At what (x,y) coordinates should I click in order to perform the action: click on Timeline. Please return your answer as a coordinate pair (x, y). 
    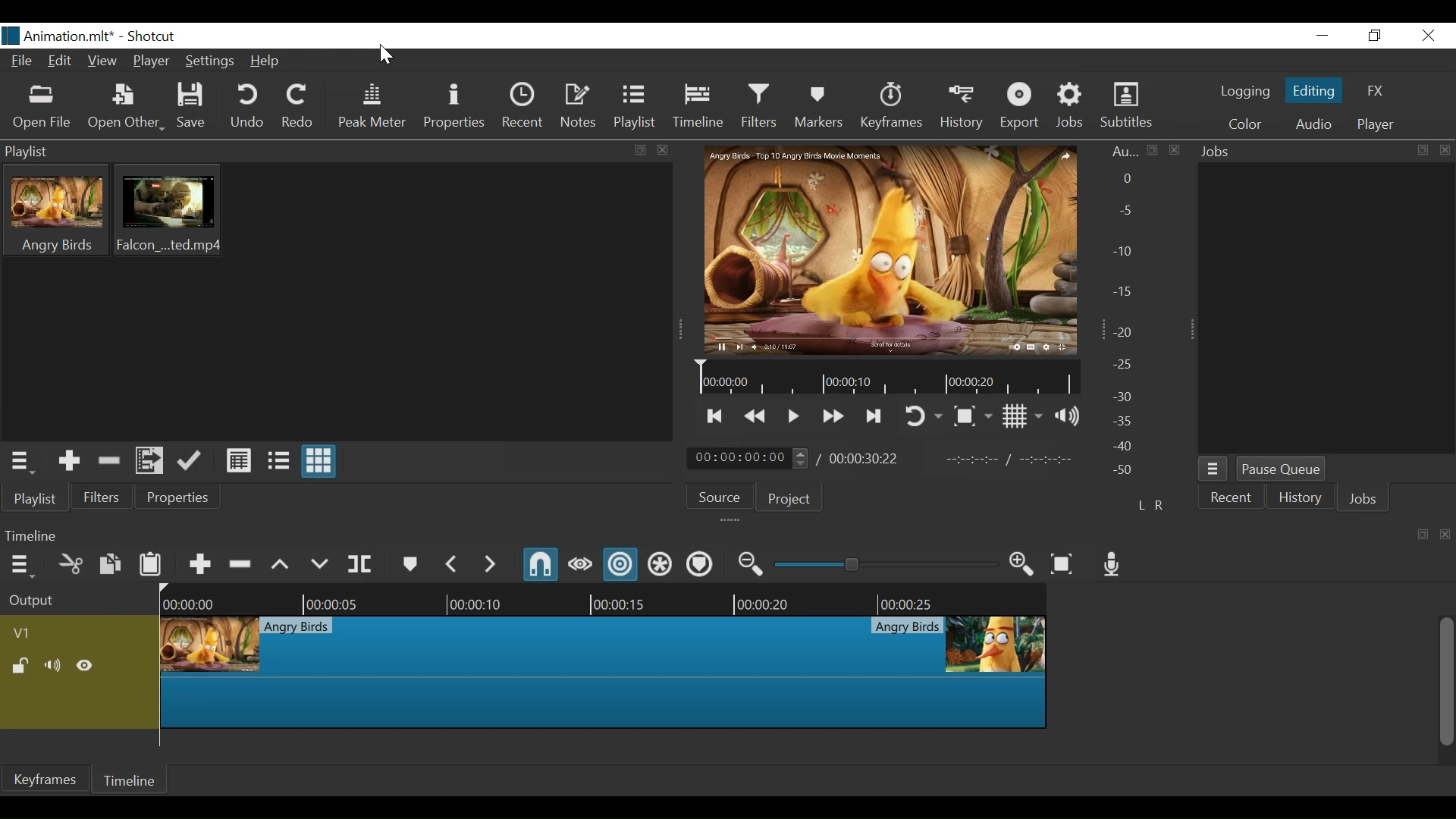
    Looking at the image, I should click on (134, 779).